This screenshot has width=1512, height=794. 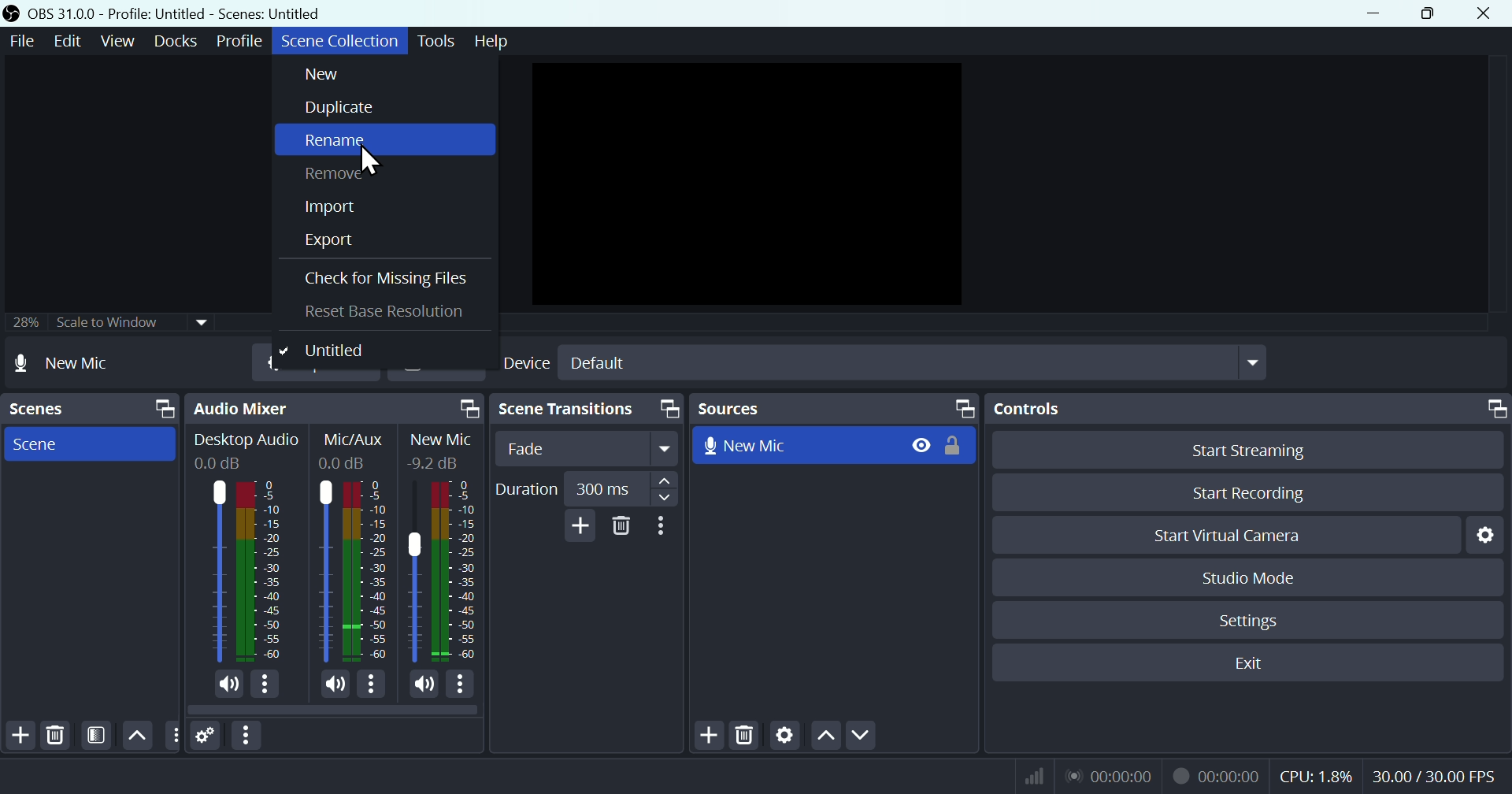 I want to click on Down, so click(x=865, y=733).